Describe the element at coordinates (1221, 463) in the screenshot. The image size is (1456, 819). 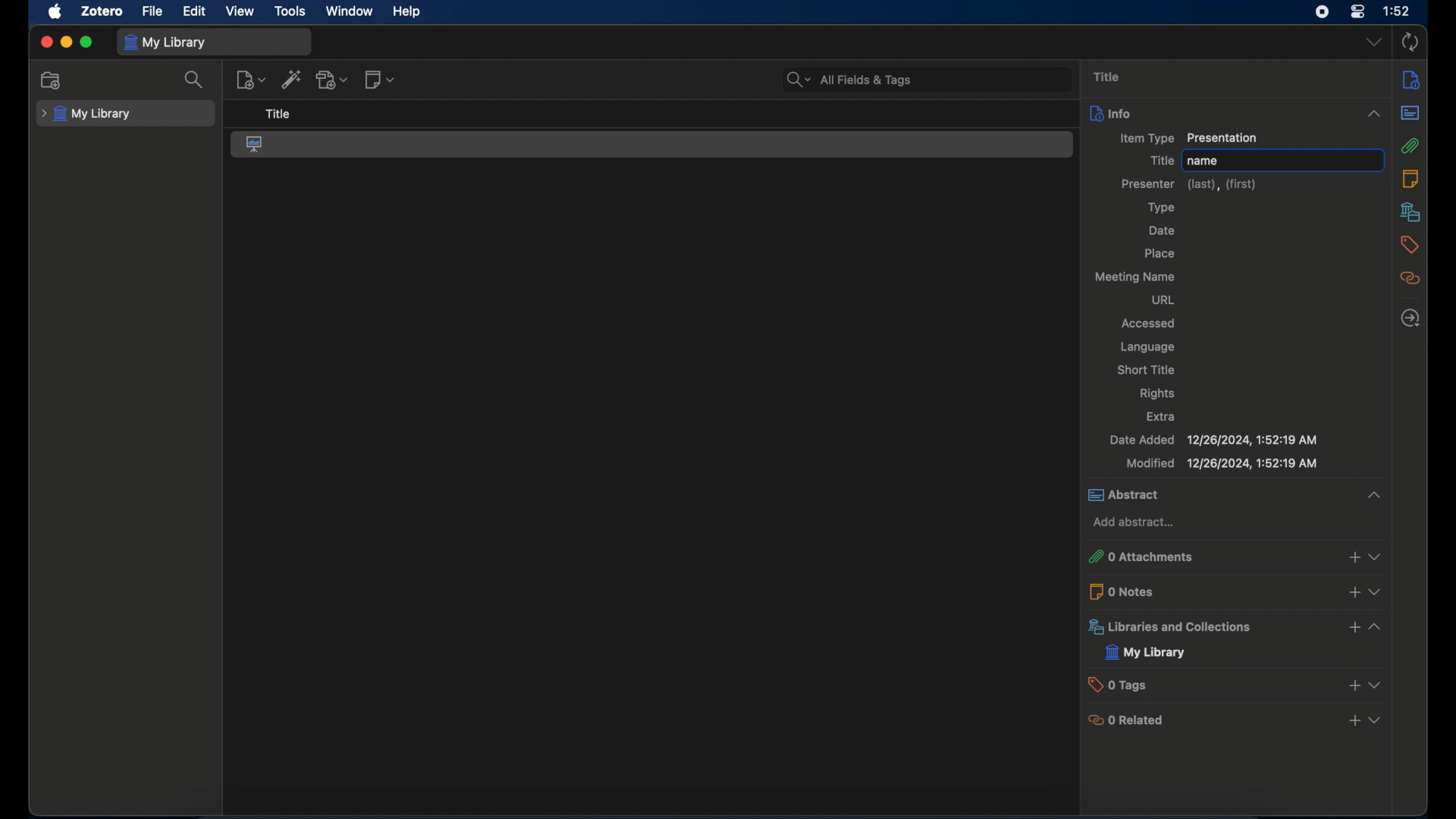
I see `modified 12/26/2024, 1:52:19 AM` at that location.